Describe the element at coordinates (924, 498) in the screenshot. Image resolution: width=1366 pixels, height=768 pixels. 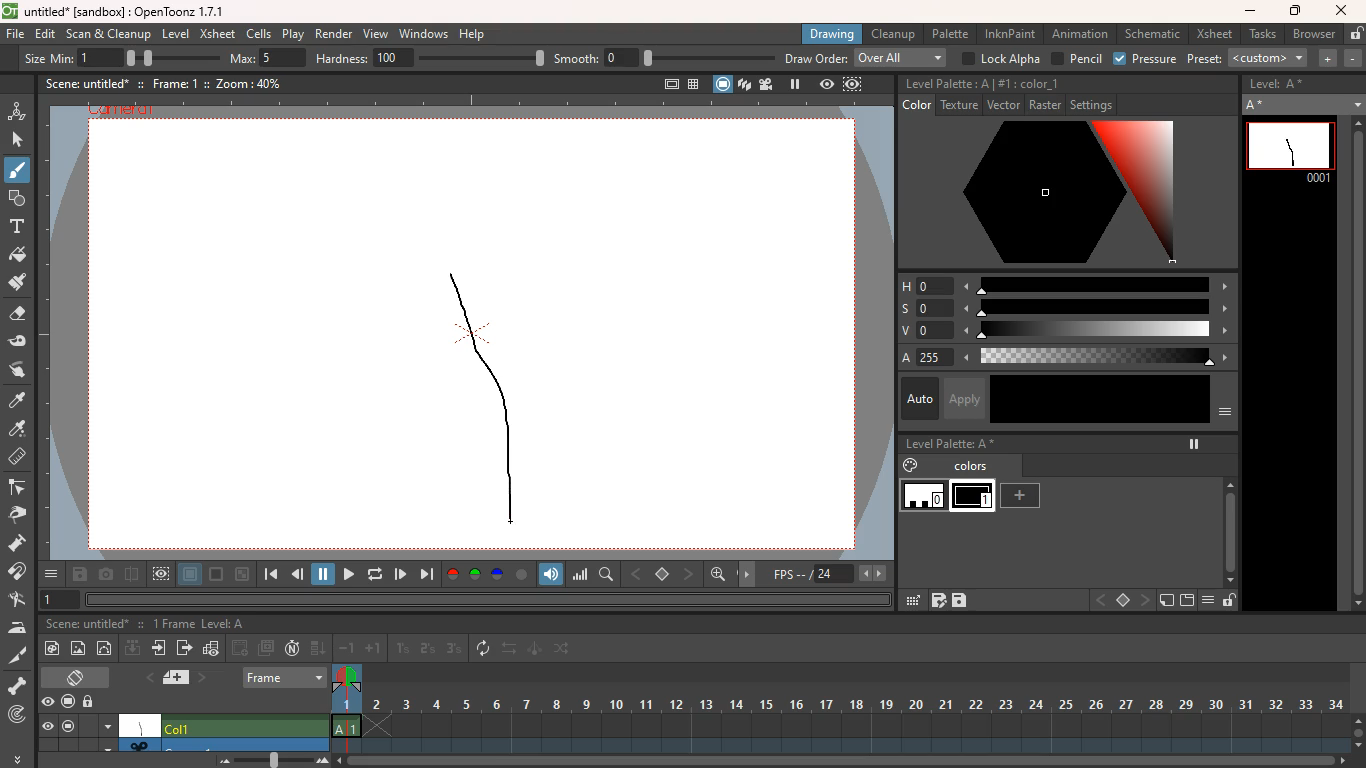
I see `level` at that location.